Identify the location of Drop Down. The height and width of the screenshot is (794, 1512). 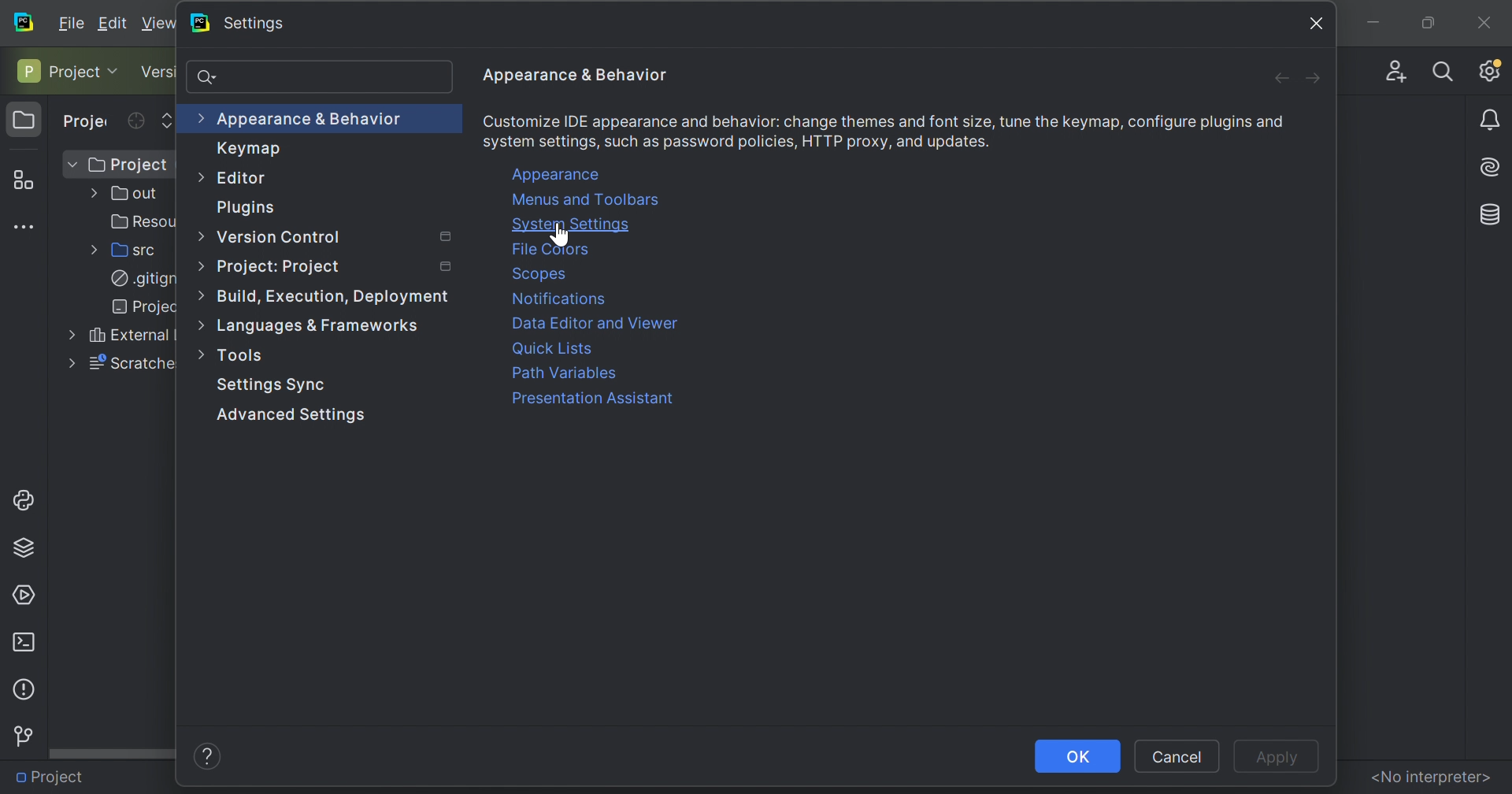
(71, 165).